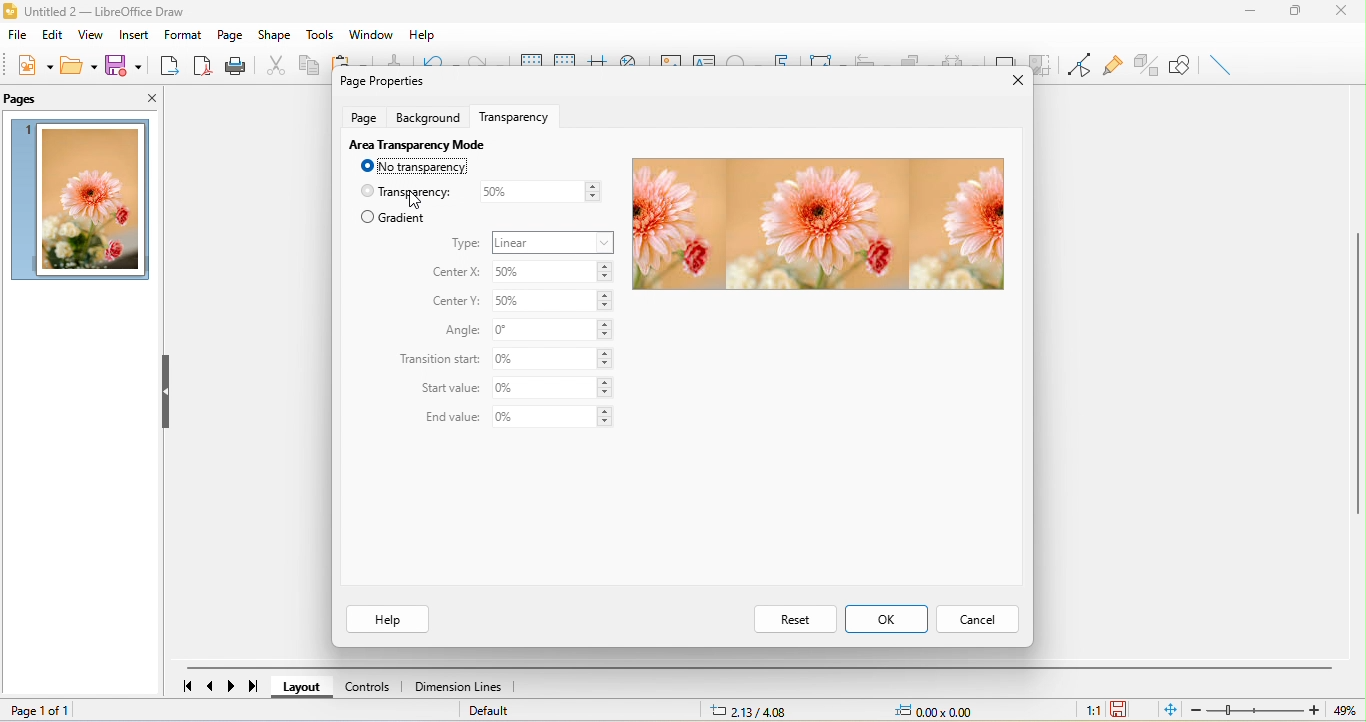 This screenshot has height=722, width=1366. What do you see at coordinates (454, 273) in the screenshot?
I see `center x` at bounding box center [454, 273].